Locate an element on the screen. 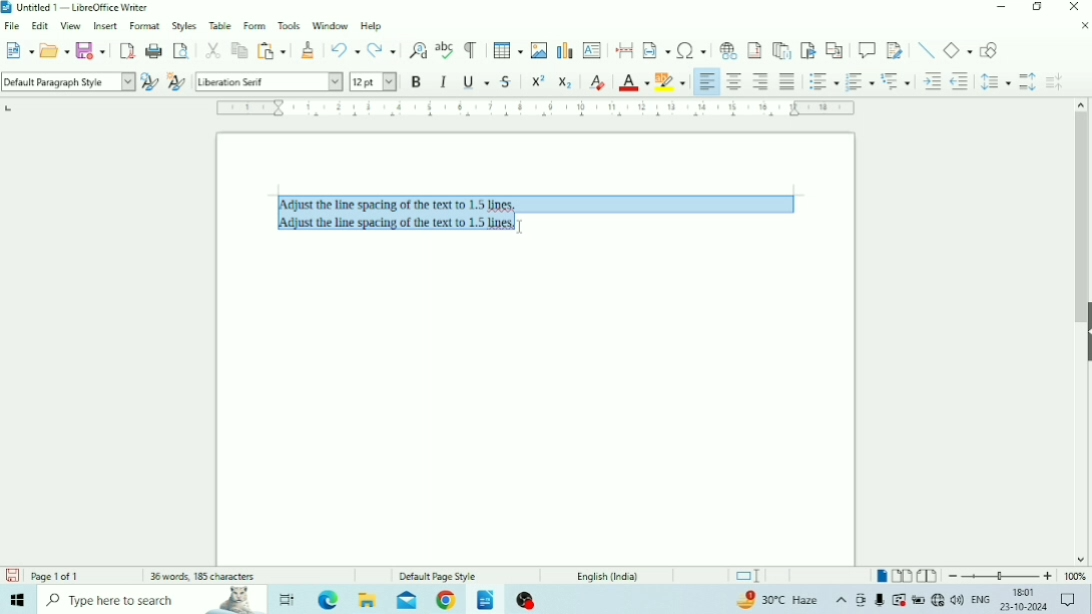  Horizontal scale is located at coordinates (535, 108).